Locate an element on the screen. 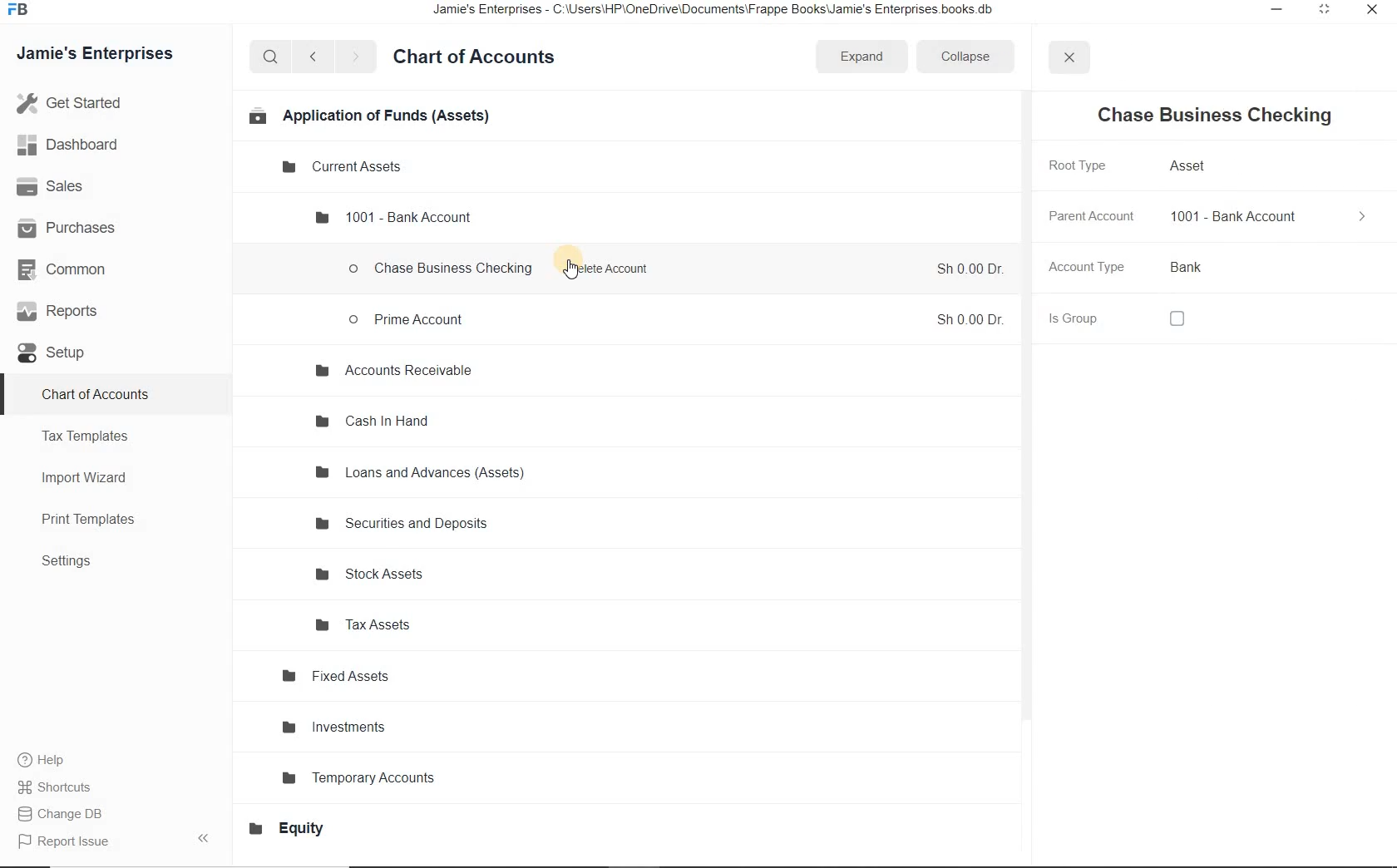  Expand is located at coordinates (865, 57).